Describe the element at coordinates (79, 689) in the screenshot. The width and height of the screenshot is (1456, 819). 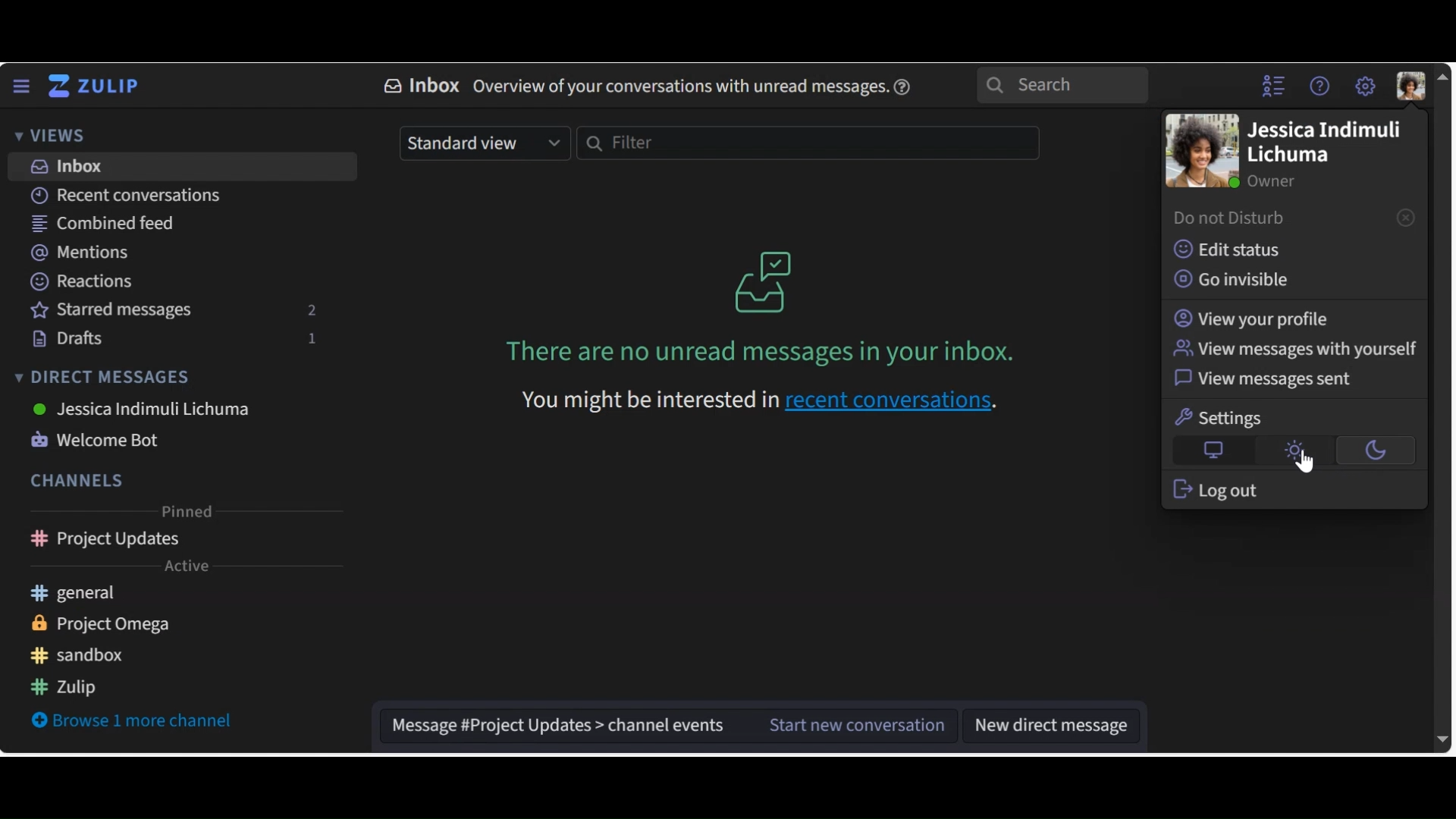
I see `Zulip` at that location.